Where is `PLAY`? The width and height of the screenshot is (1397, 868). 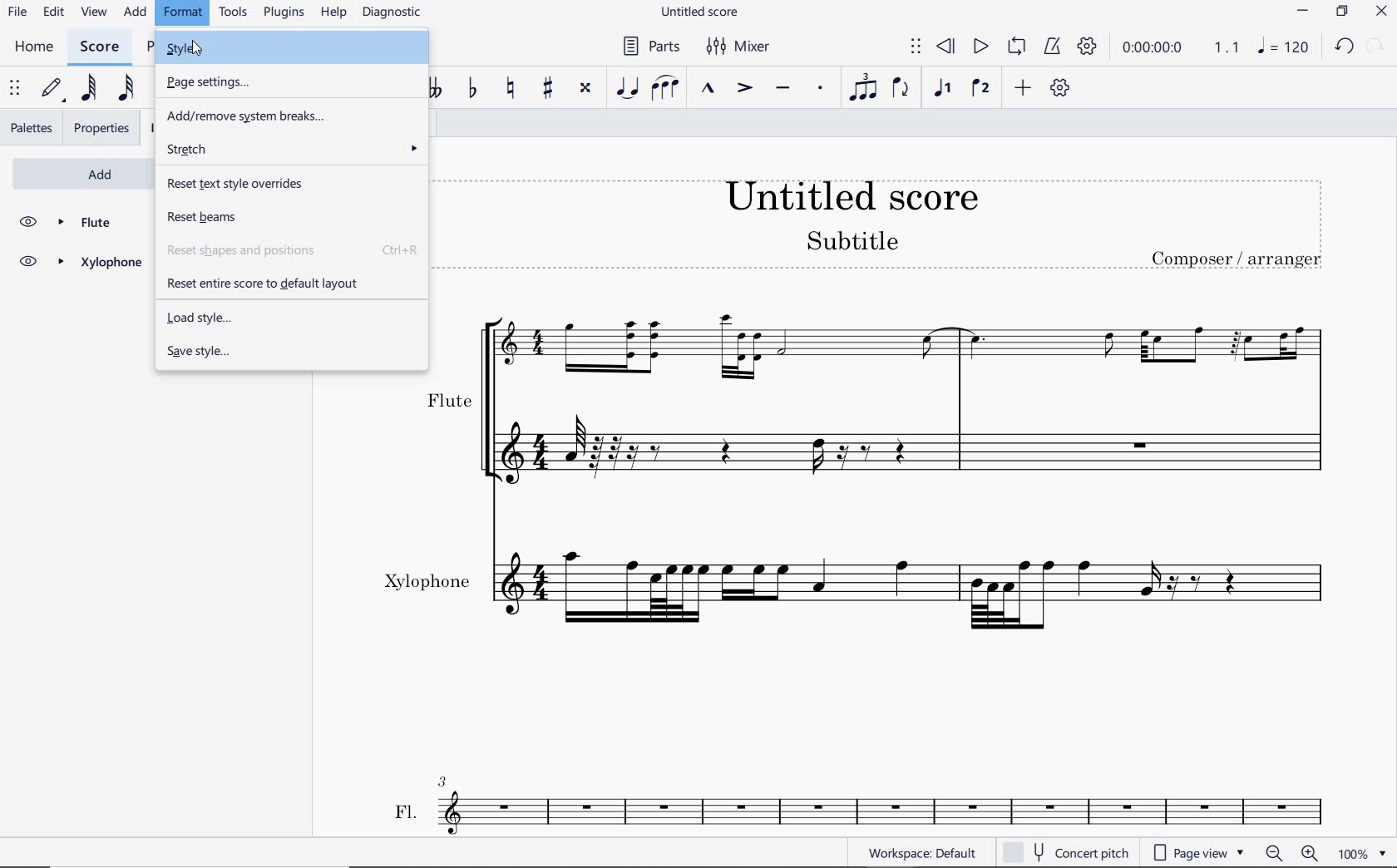
PLAY is located at coordinates (980, 47).